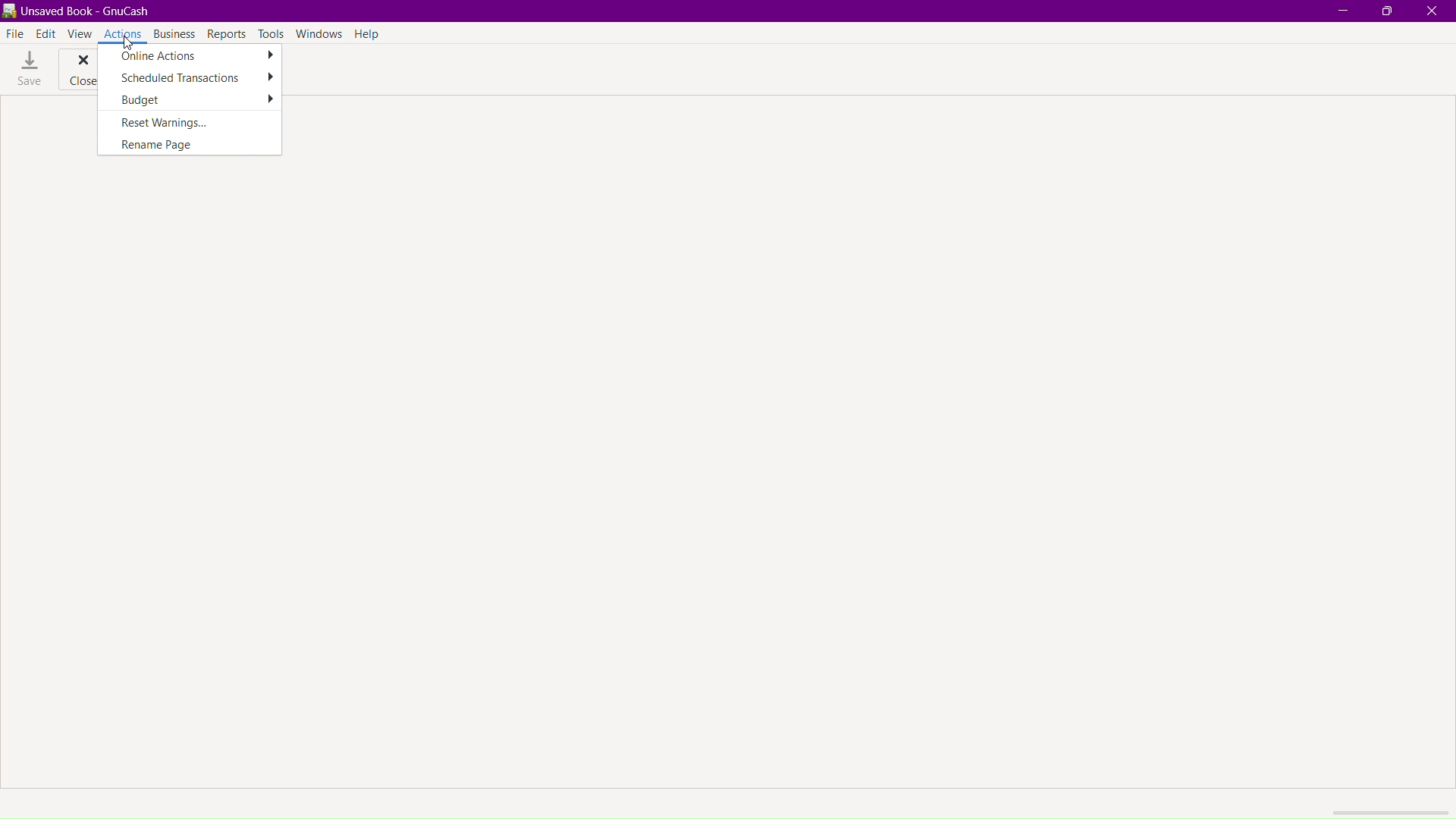 This screenshot has height=819, width=1456. Describe the element at coordinates (78, 71) in the screenshot. I see `Close` at that location.